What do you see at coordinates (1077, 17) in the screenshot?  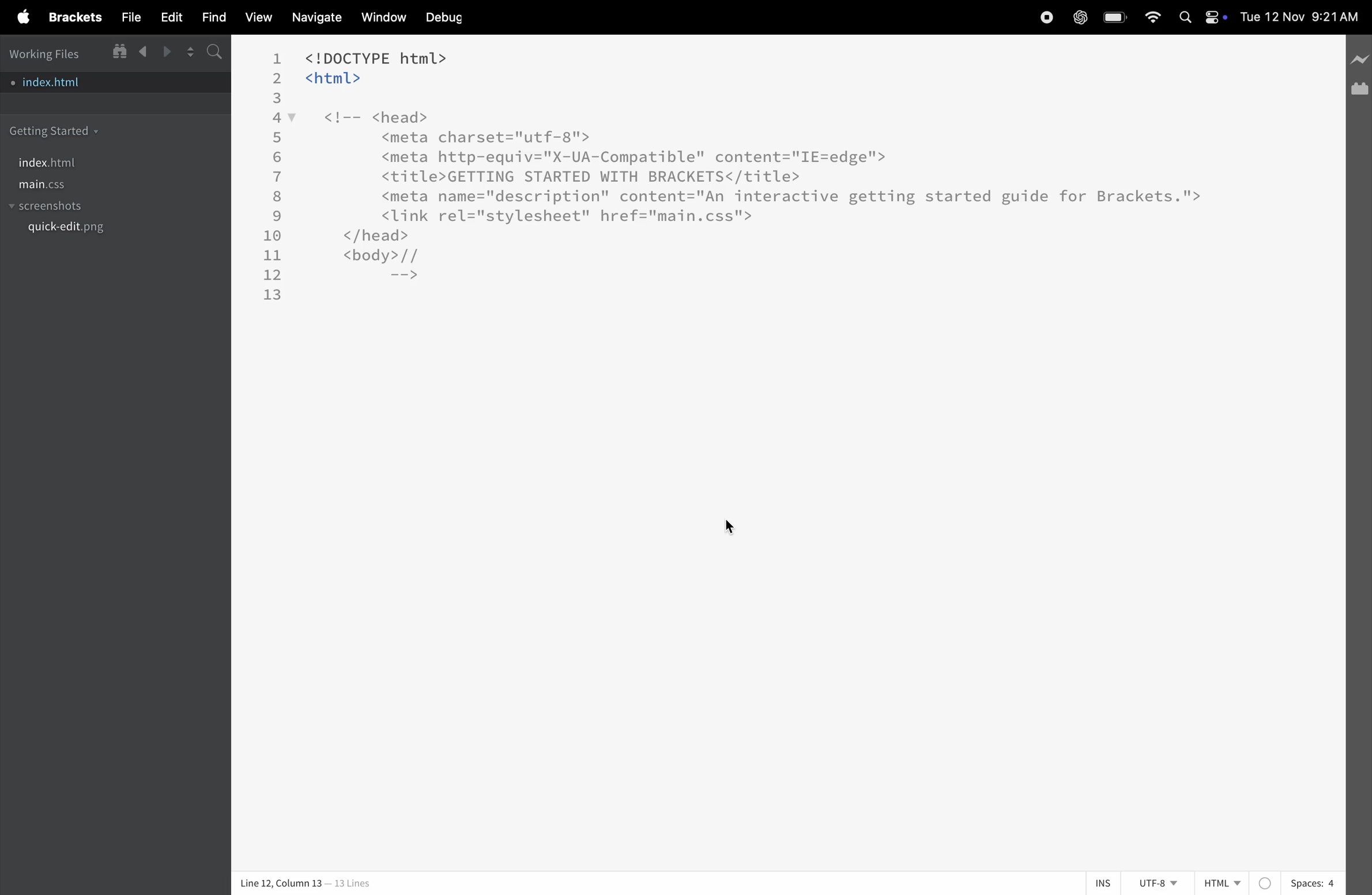 I see `chatgpt` at bounding box center [1077, 17].